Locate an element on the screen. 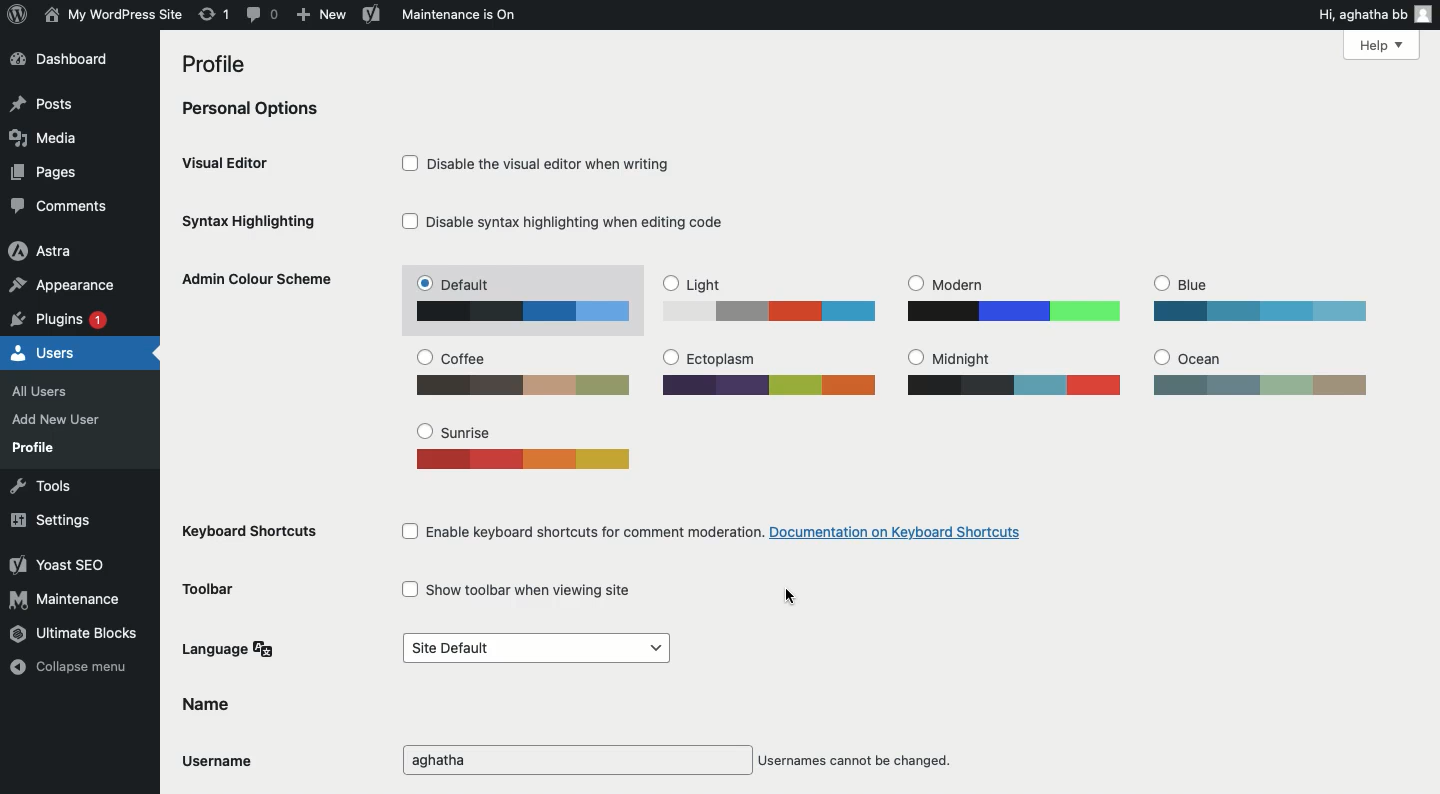 The height and width of the screenshot is (794, 1440). Visual editor is located at coordinates (235, 162).